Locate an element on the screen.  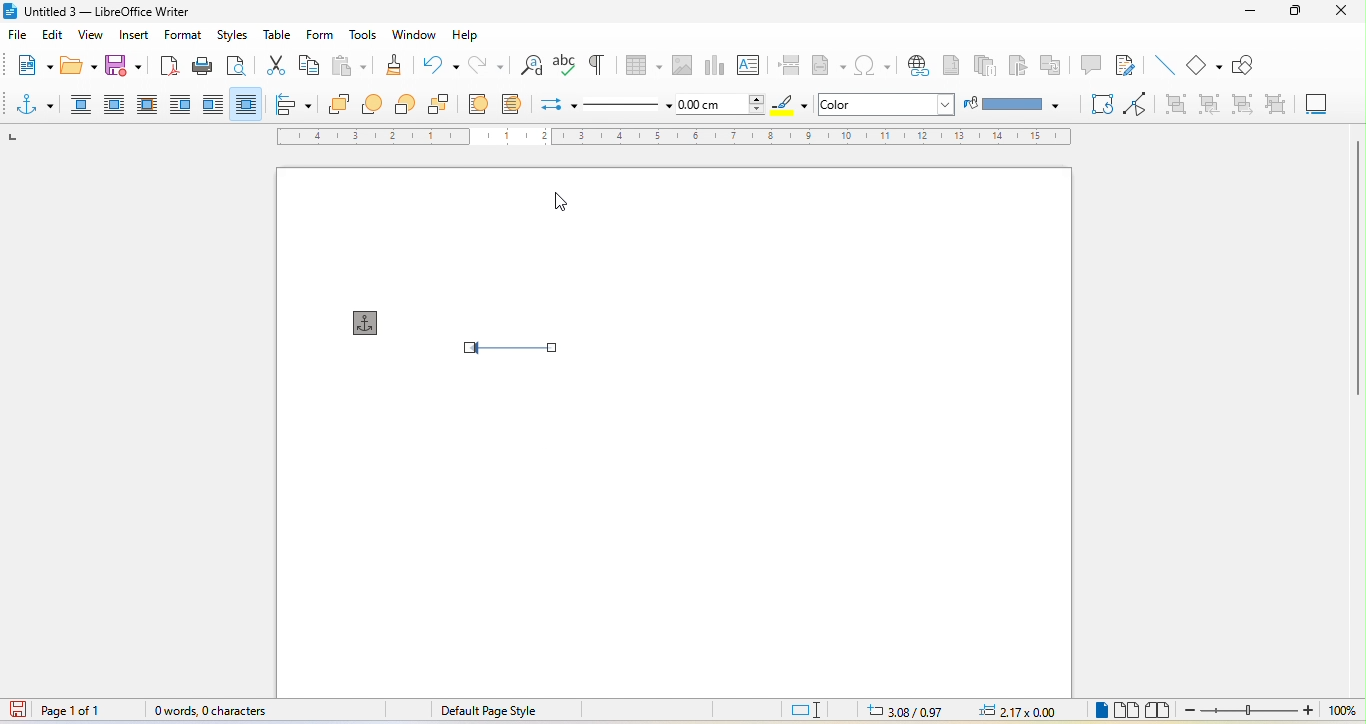
anchor for object is located at coordinates (372, 322).